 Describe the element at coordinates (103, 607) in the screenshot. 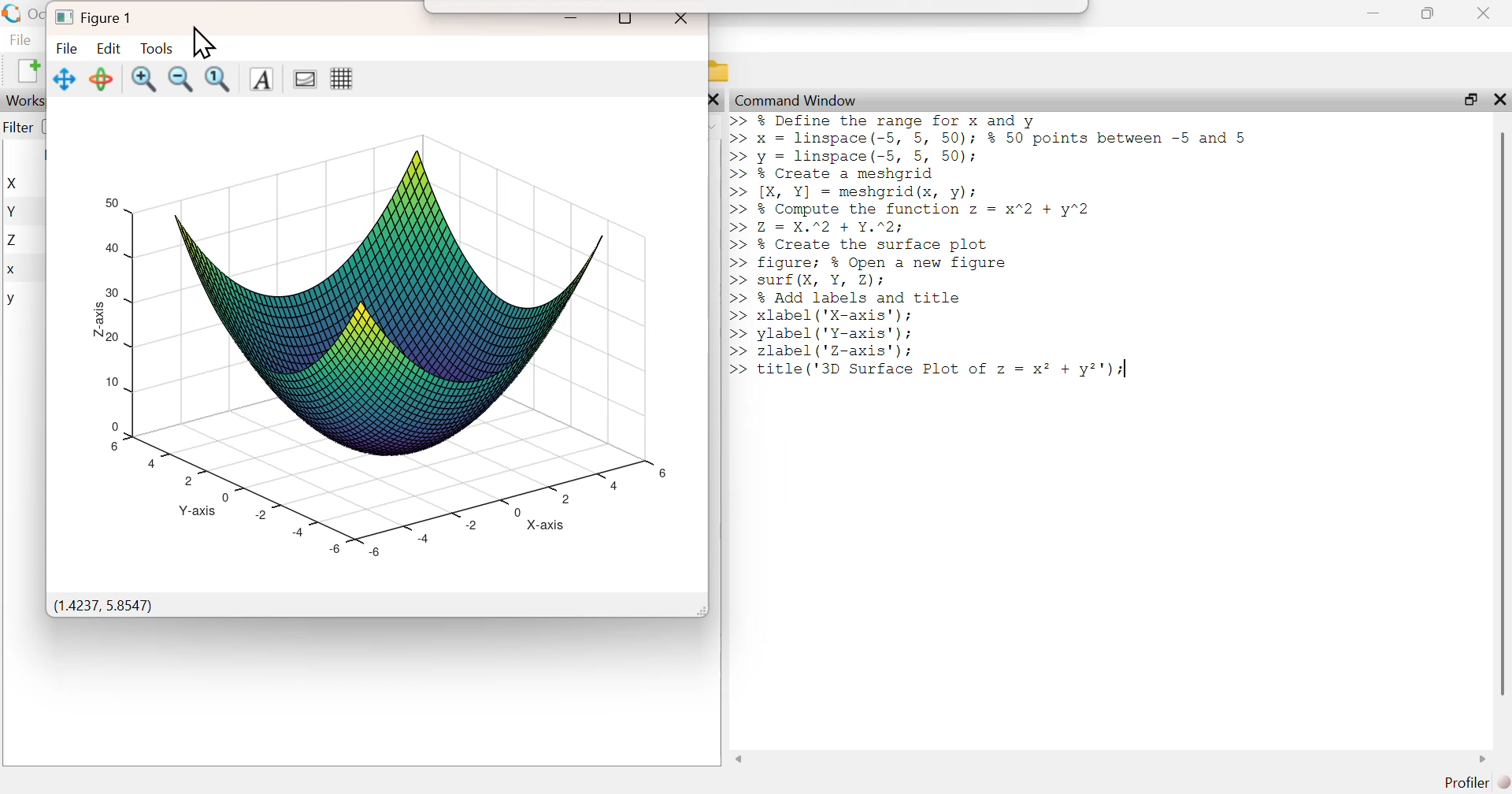

I see `(1.4237, 5.8547)` at that location.